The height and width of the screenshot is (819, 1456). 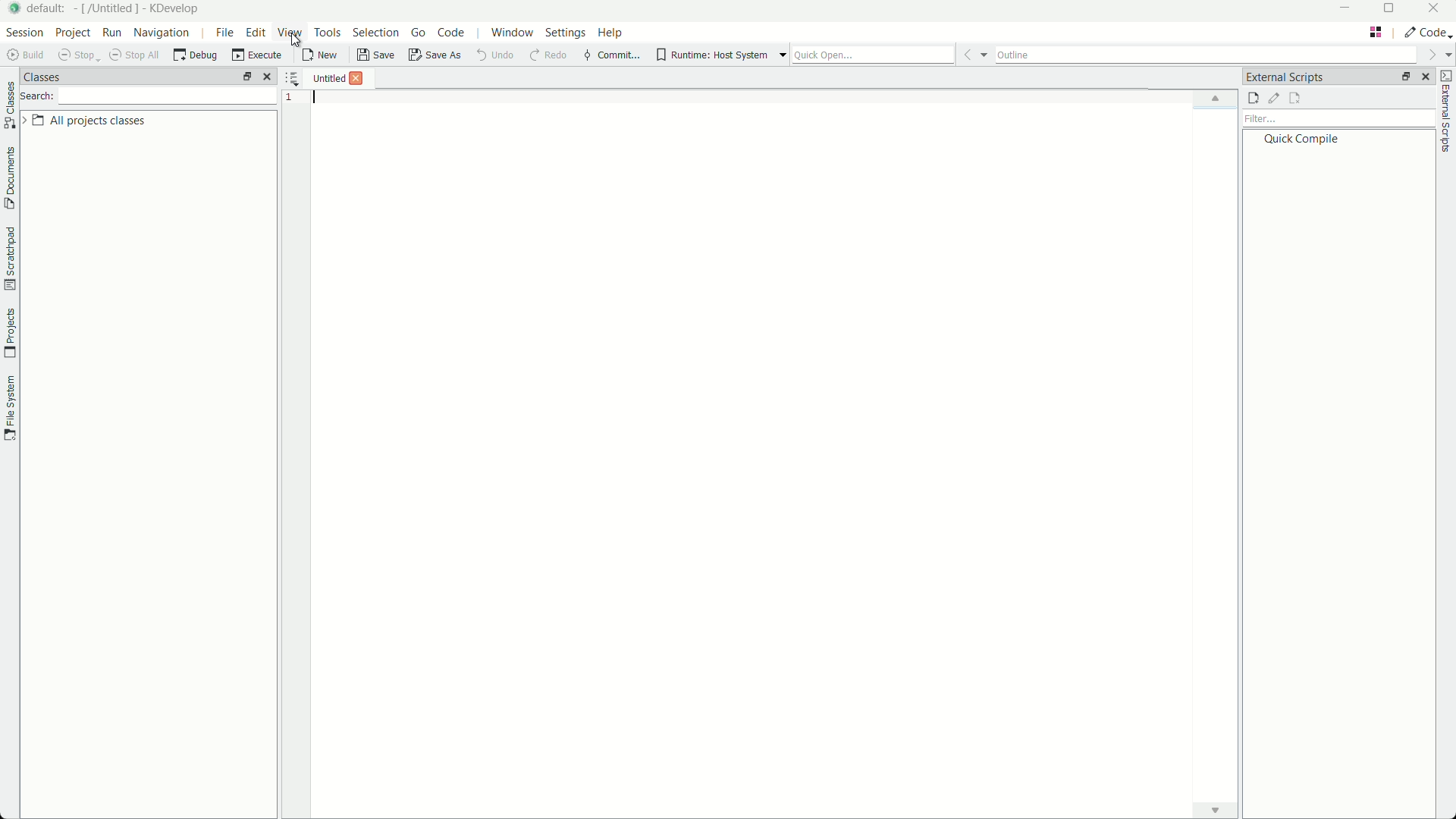 What do you see at coordinates (297, 77) in the screenshot?
I see `show sortec list of opened documents` at bounding box center [297, 77].